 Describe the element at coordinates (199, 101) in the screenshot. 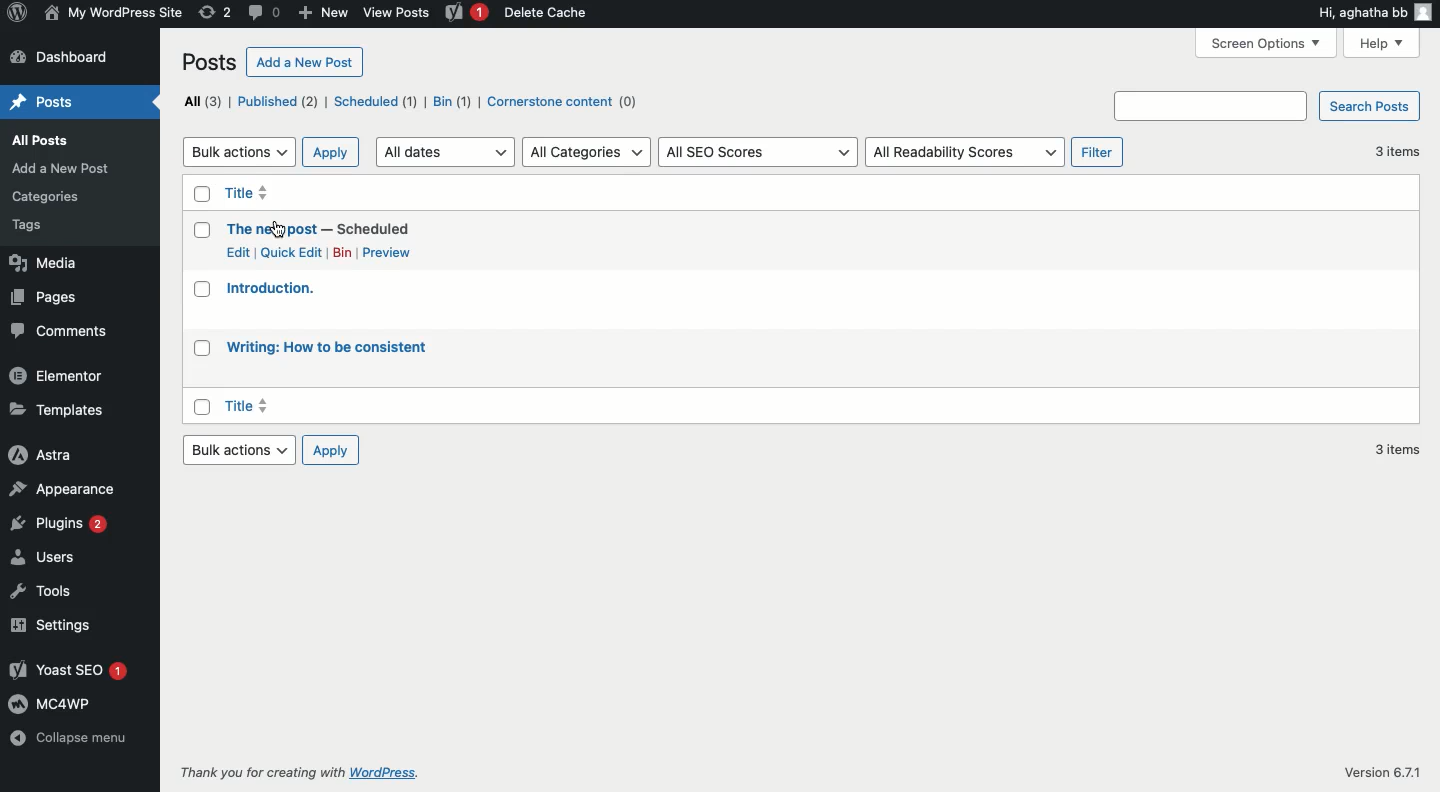

I see `All` at that location.